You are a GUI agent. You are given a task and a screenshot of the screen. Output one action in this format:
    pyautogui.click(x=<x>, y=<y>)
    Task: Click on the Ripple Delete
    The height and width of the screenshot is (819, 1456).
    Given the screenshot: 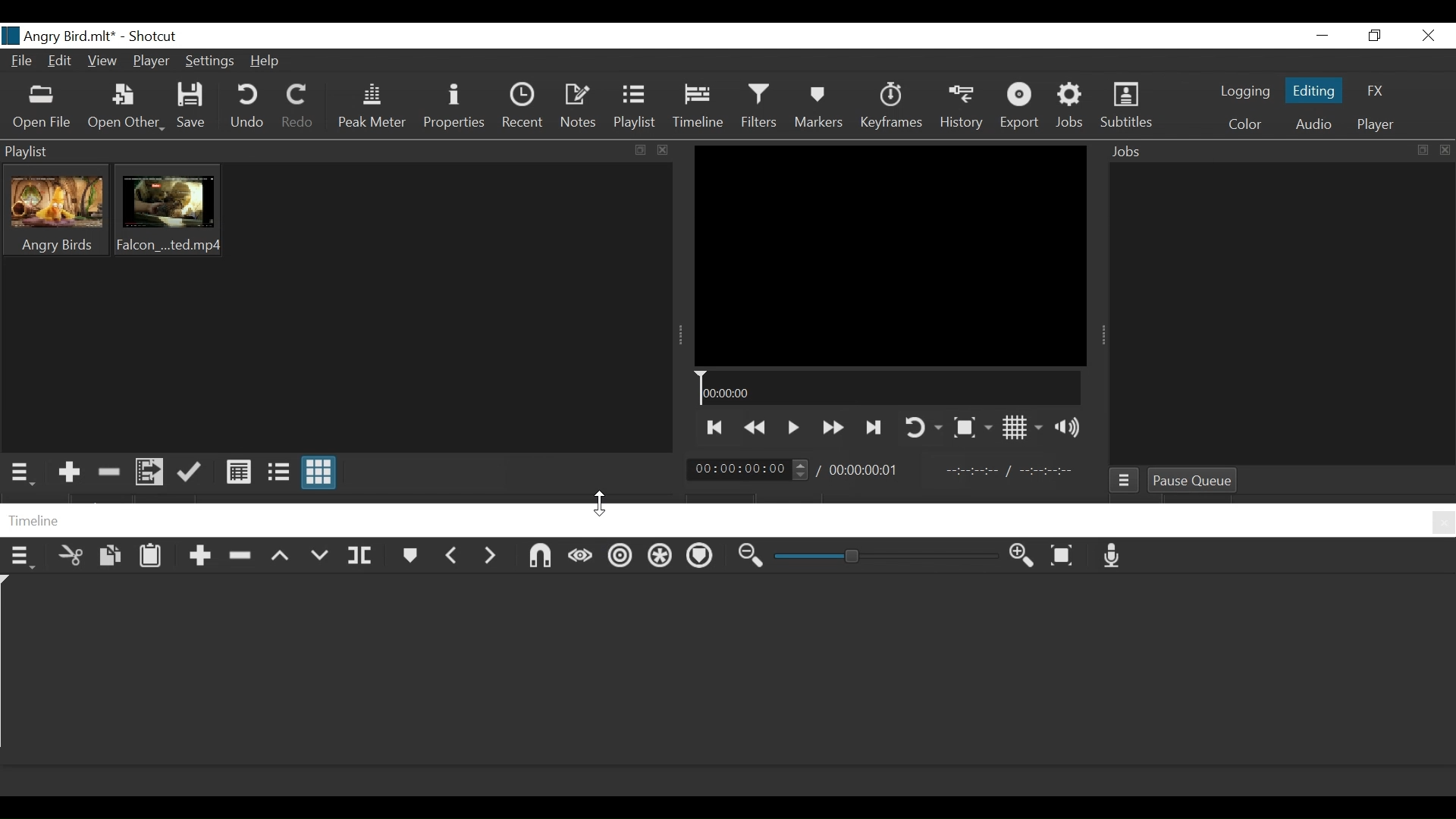 What is the action you would take?
    pyautogui.click(x=243, y=557)
    